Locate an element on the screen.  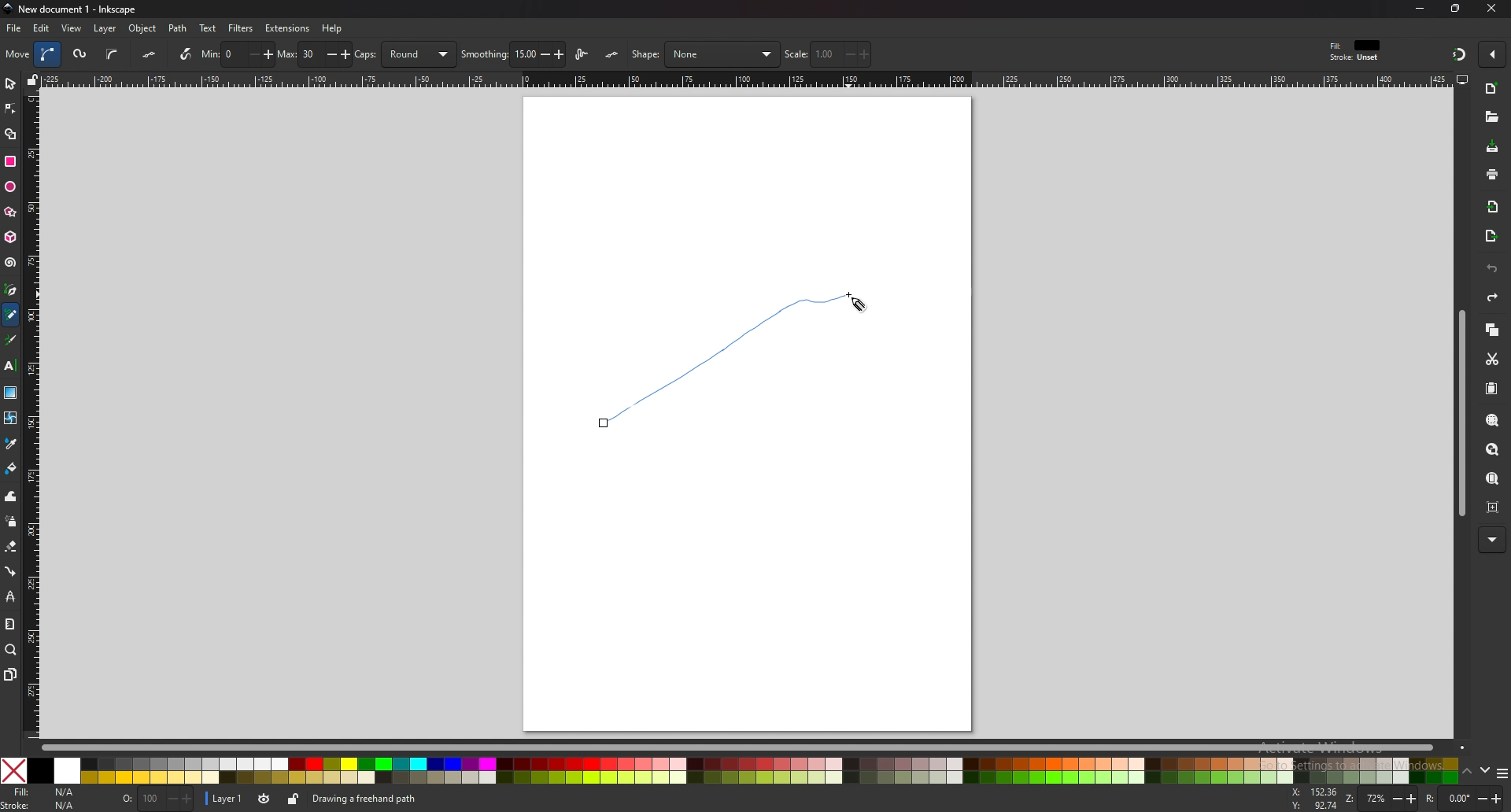
spiro path is located at coordinates (79, 54).